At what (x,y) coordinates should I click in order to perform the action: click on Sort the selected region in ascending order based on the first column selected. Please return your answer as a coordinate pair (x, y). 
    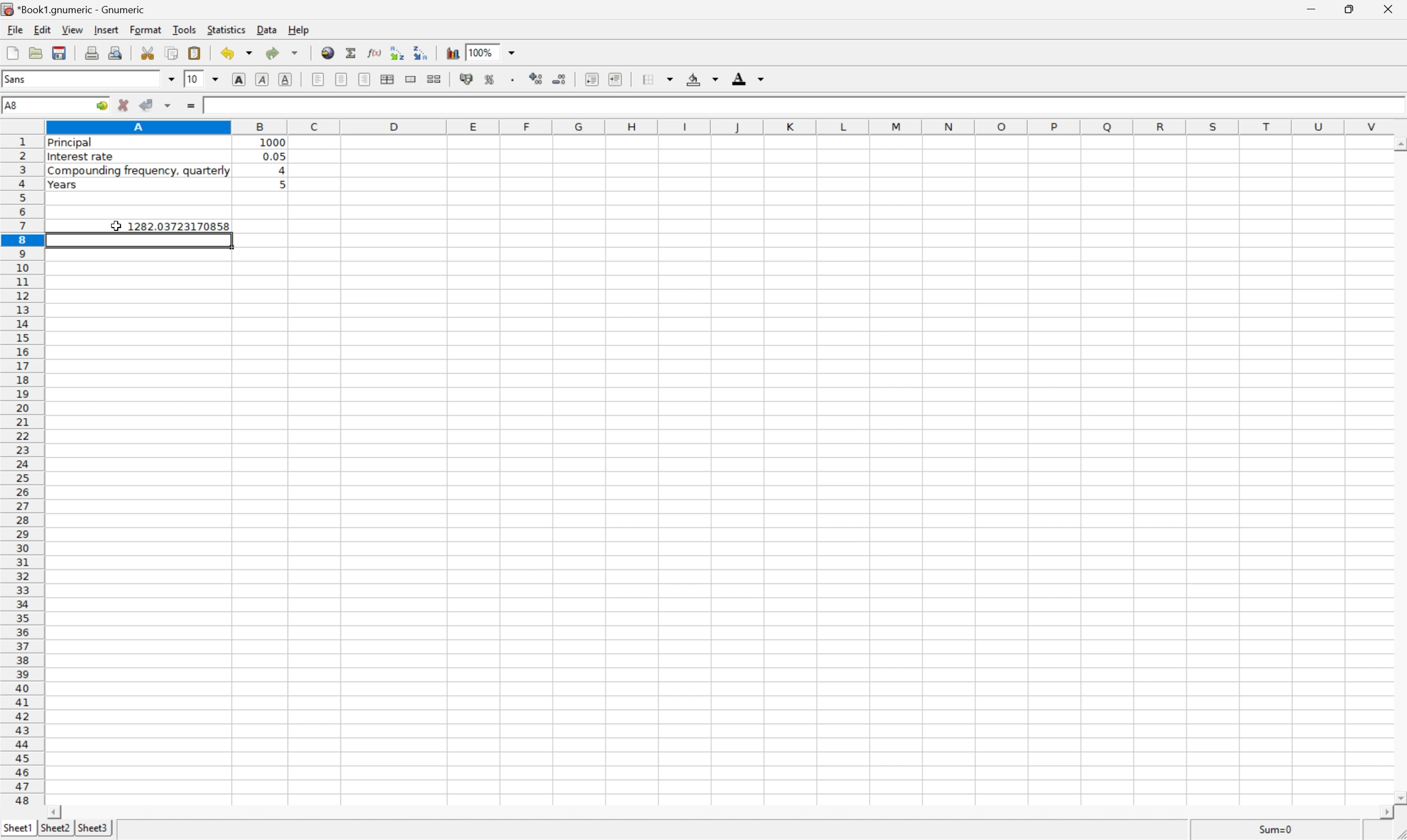
    Looking at the image, I should click on (399, 52).